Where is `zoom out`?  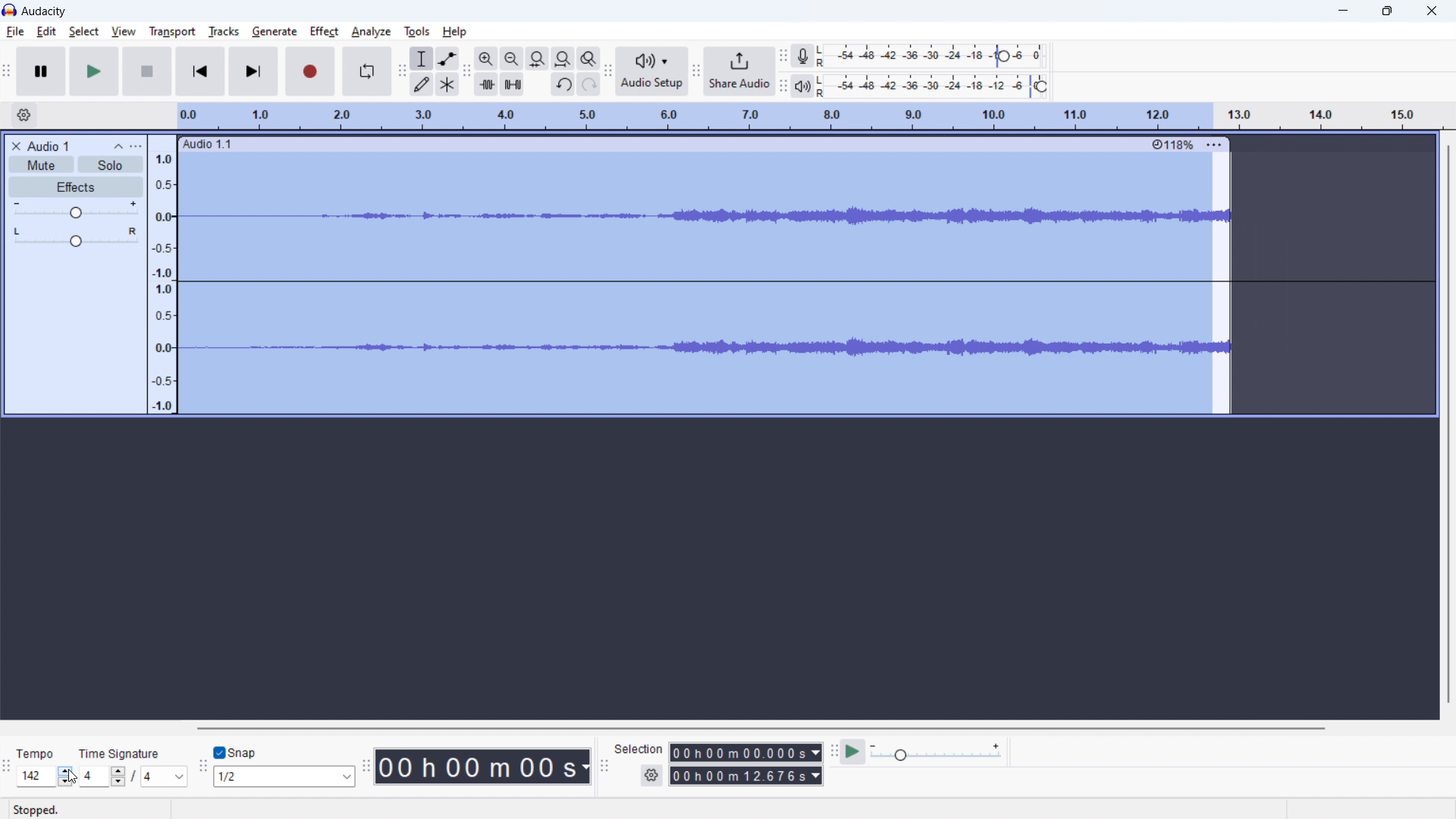 zoom out is located at coordinates (486, 58).